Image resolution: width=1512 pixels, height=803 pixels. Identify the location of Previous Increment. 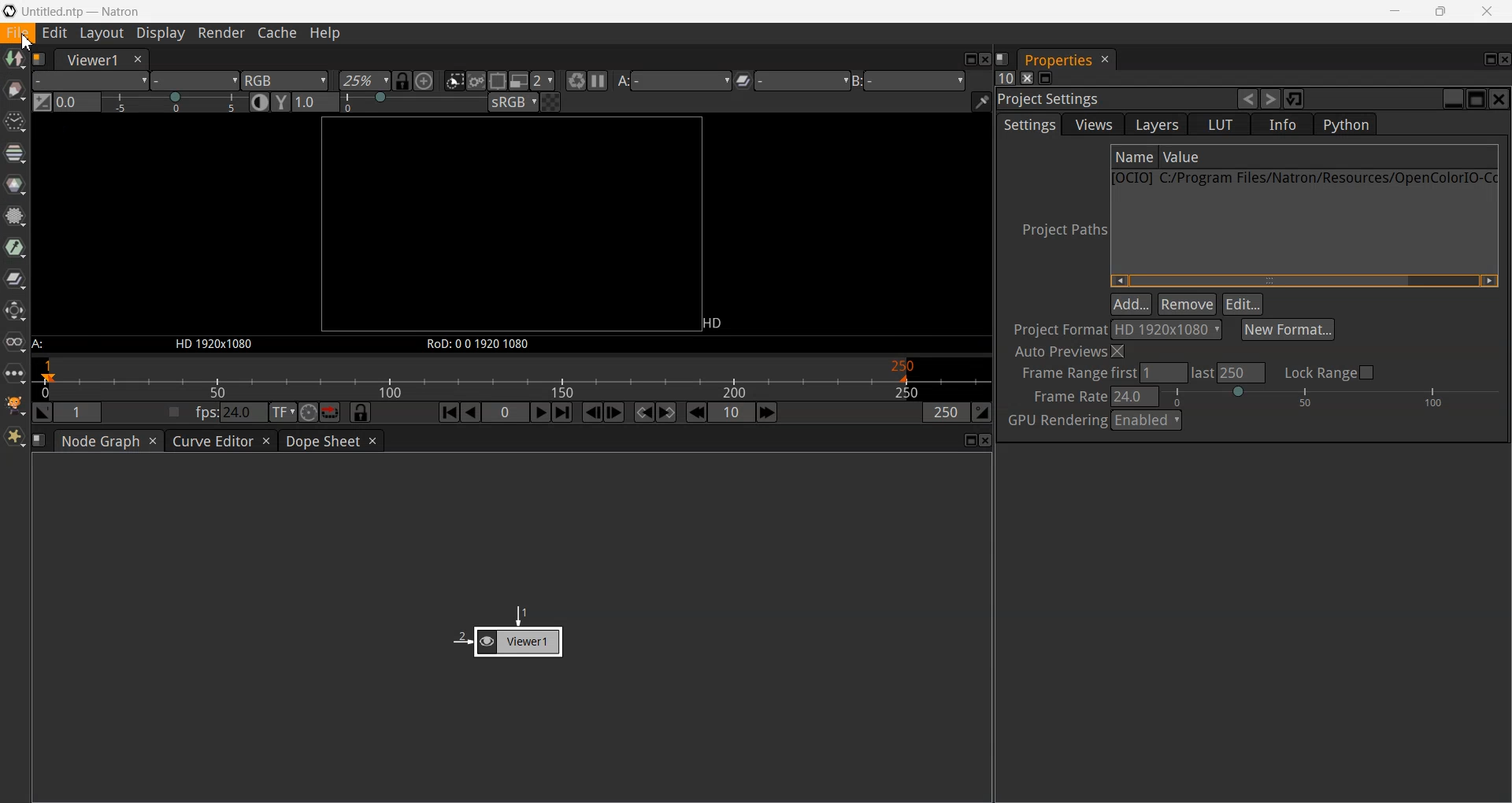
(696, 412).